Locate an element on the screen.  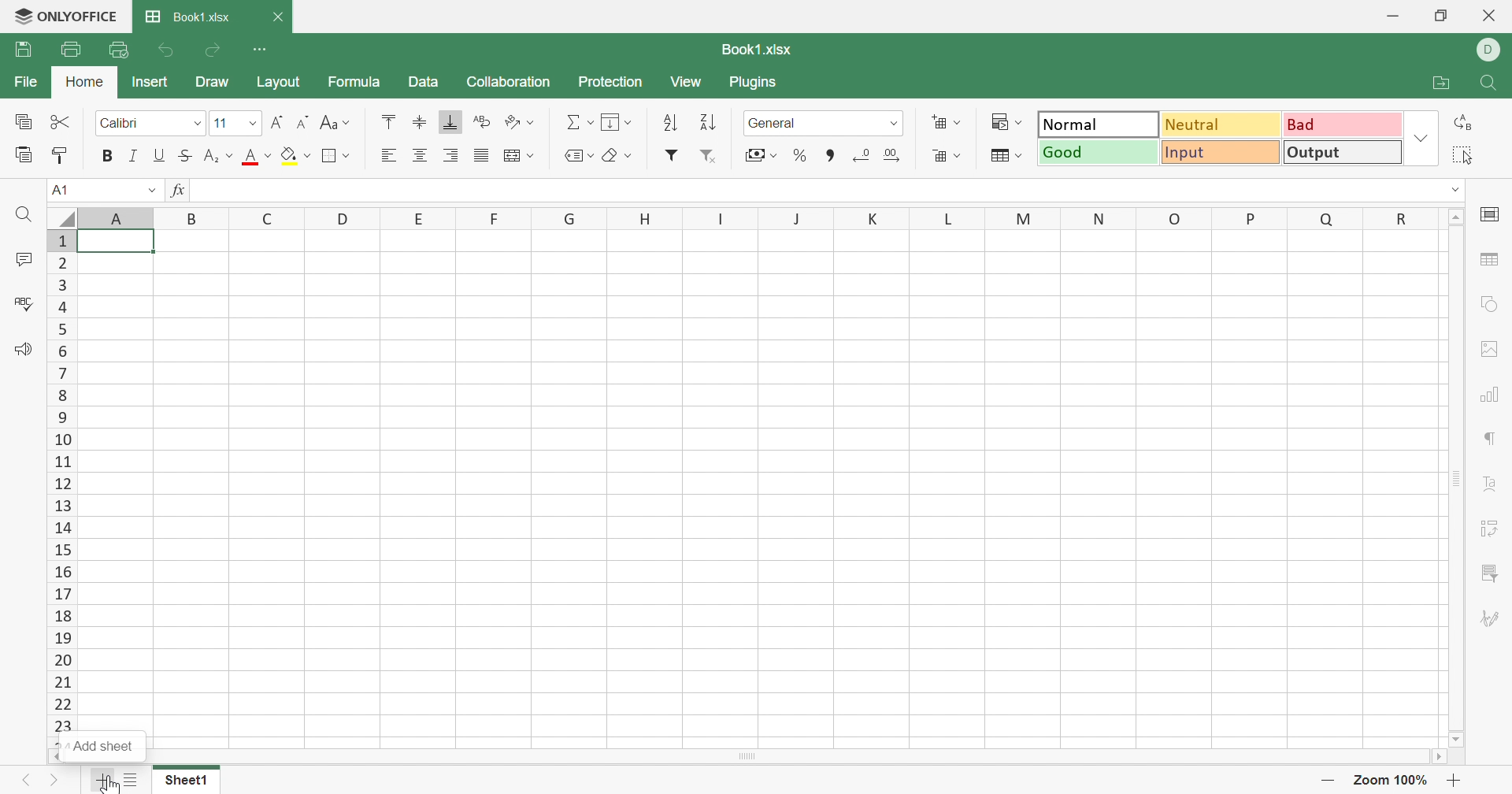
File is located at coordinates (24, 80).